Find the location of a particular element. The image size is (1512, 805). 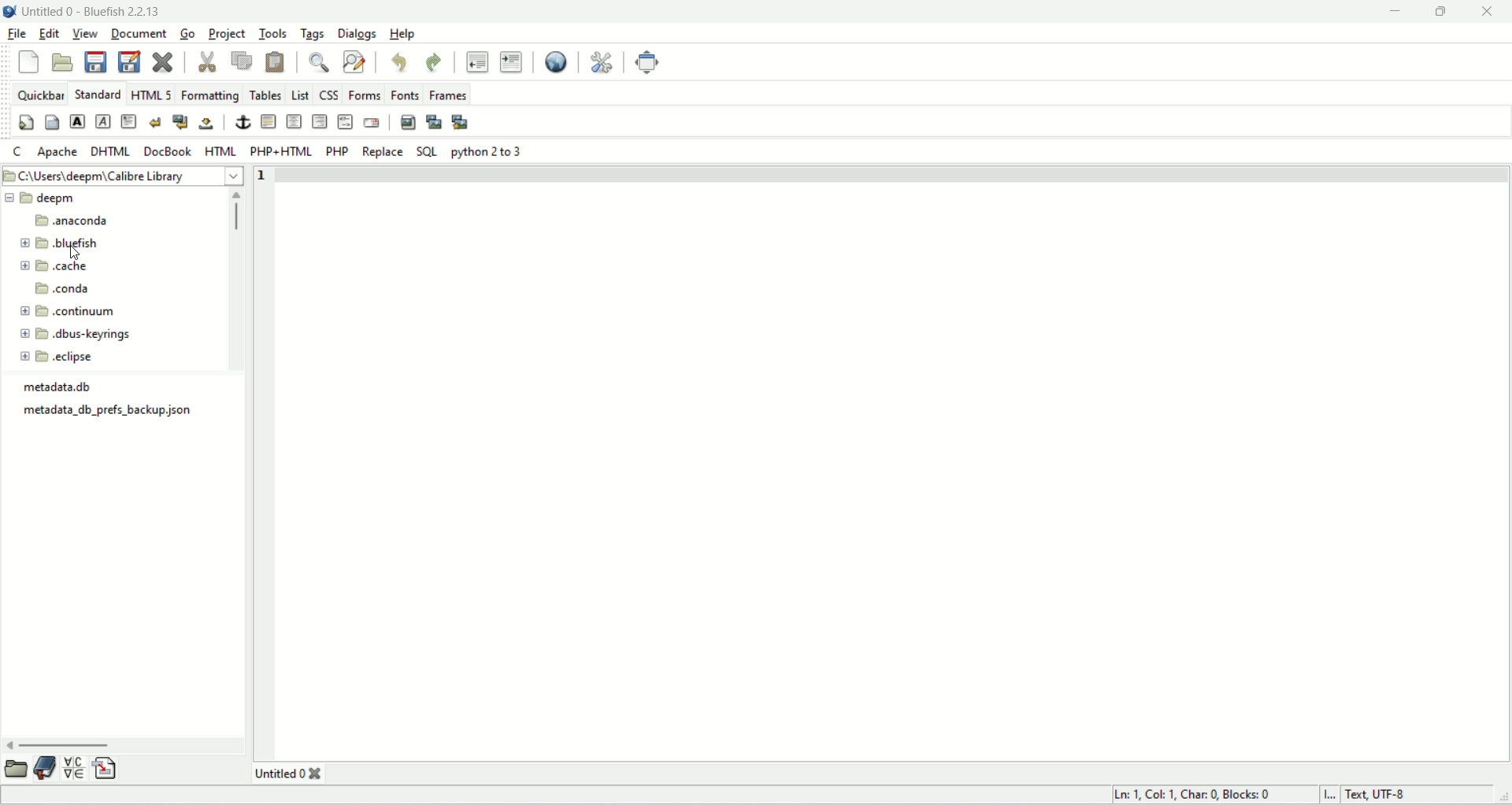

dialogs is located at coordinates (356, 35).